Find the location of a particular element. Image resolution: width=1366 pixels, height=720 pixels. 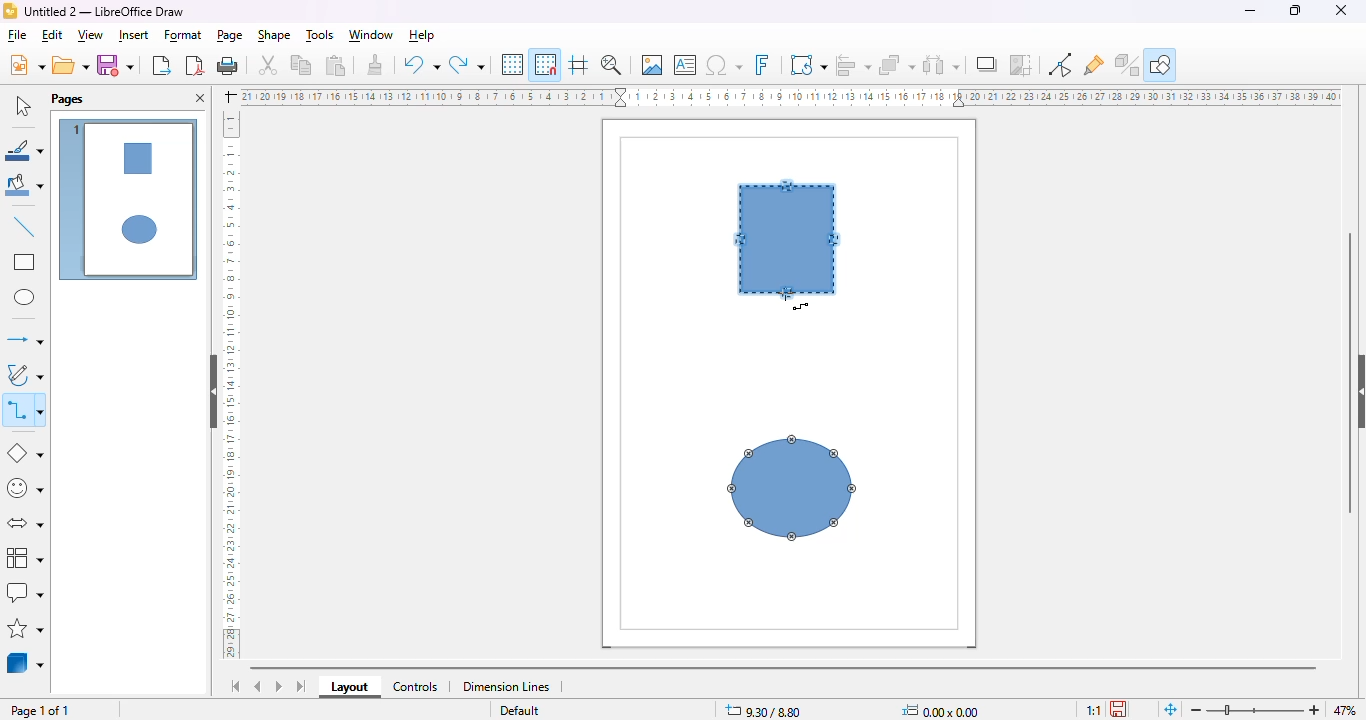

show gluepoint functions is located at coordinates (1059, 65).